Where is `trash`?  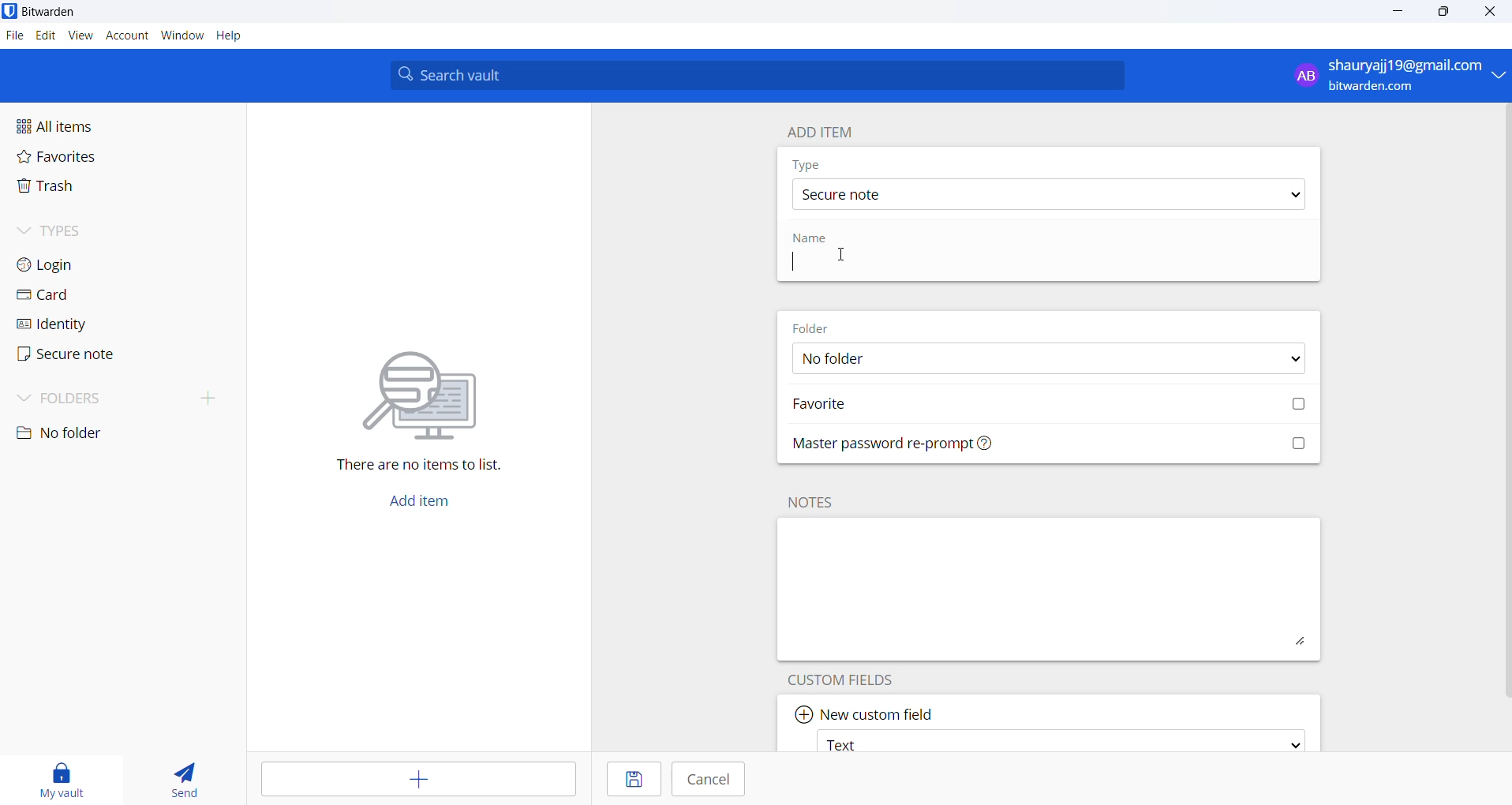 trash is located at coordinates (92, 188).